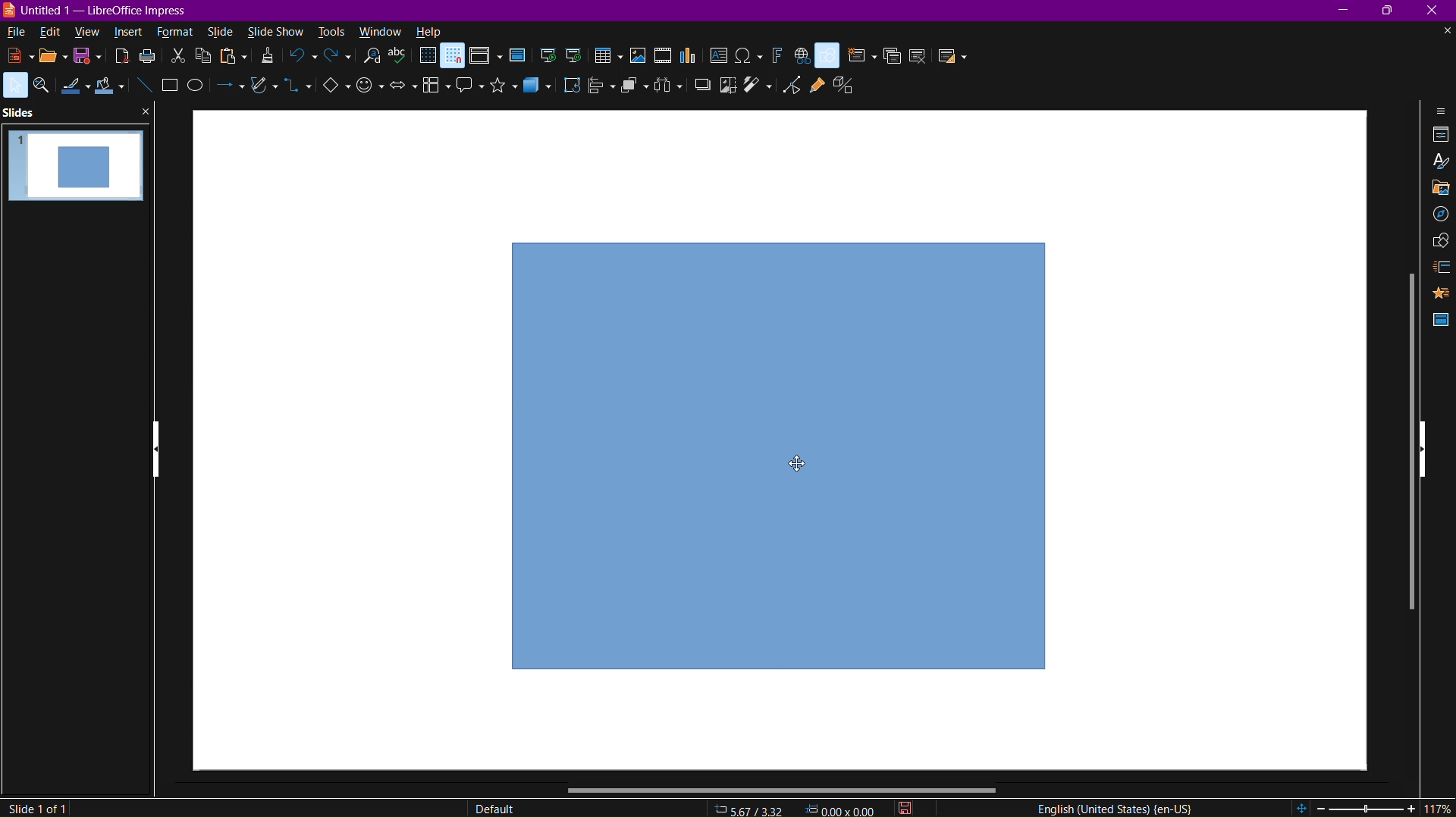 The height and width of the screenshot is (817, 1456). I want to click on cut, so click(180, 58).